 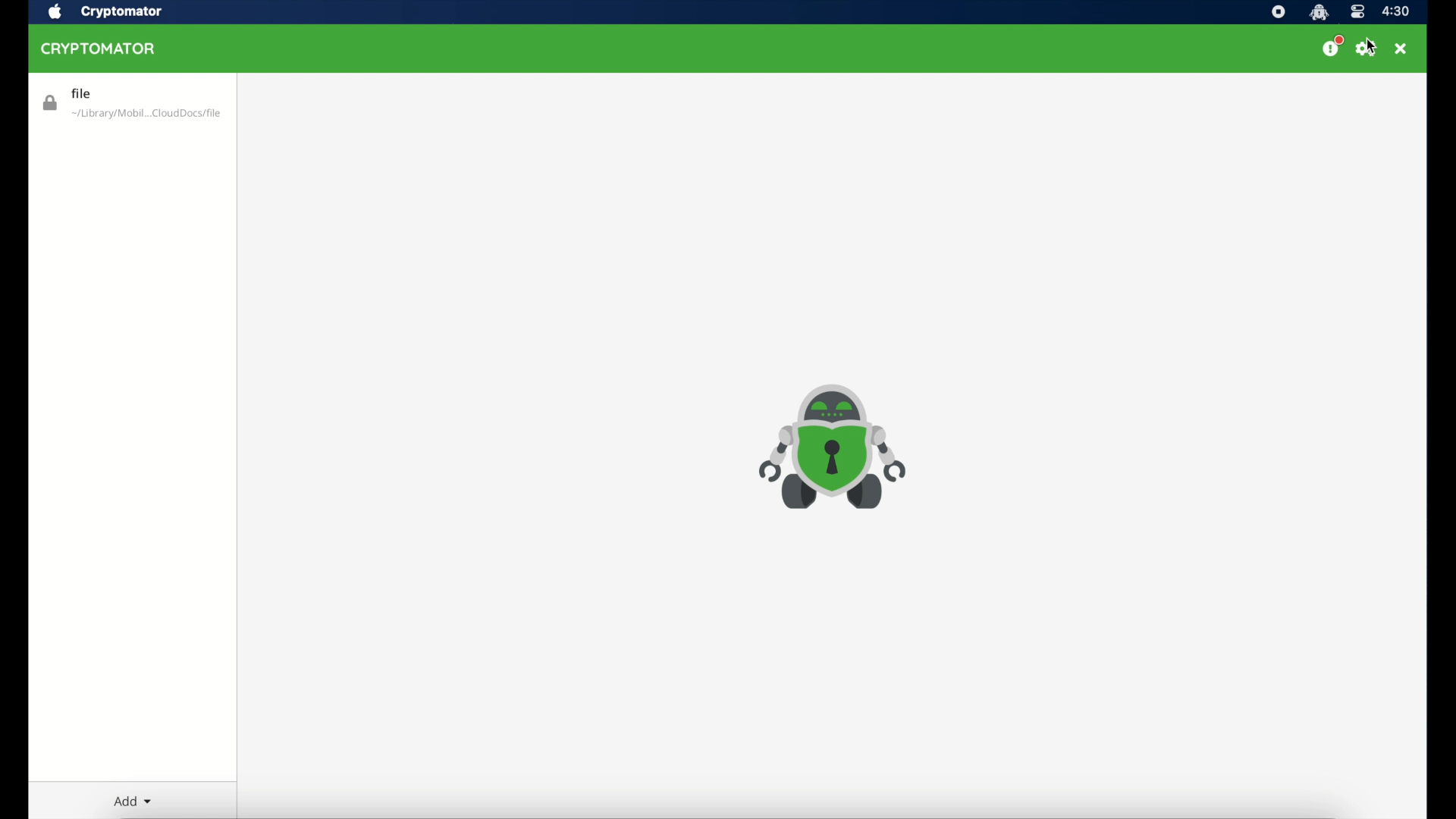 I want to click on preferences, so click(x=1365, y=48).